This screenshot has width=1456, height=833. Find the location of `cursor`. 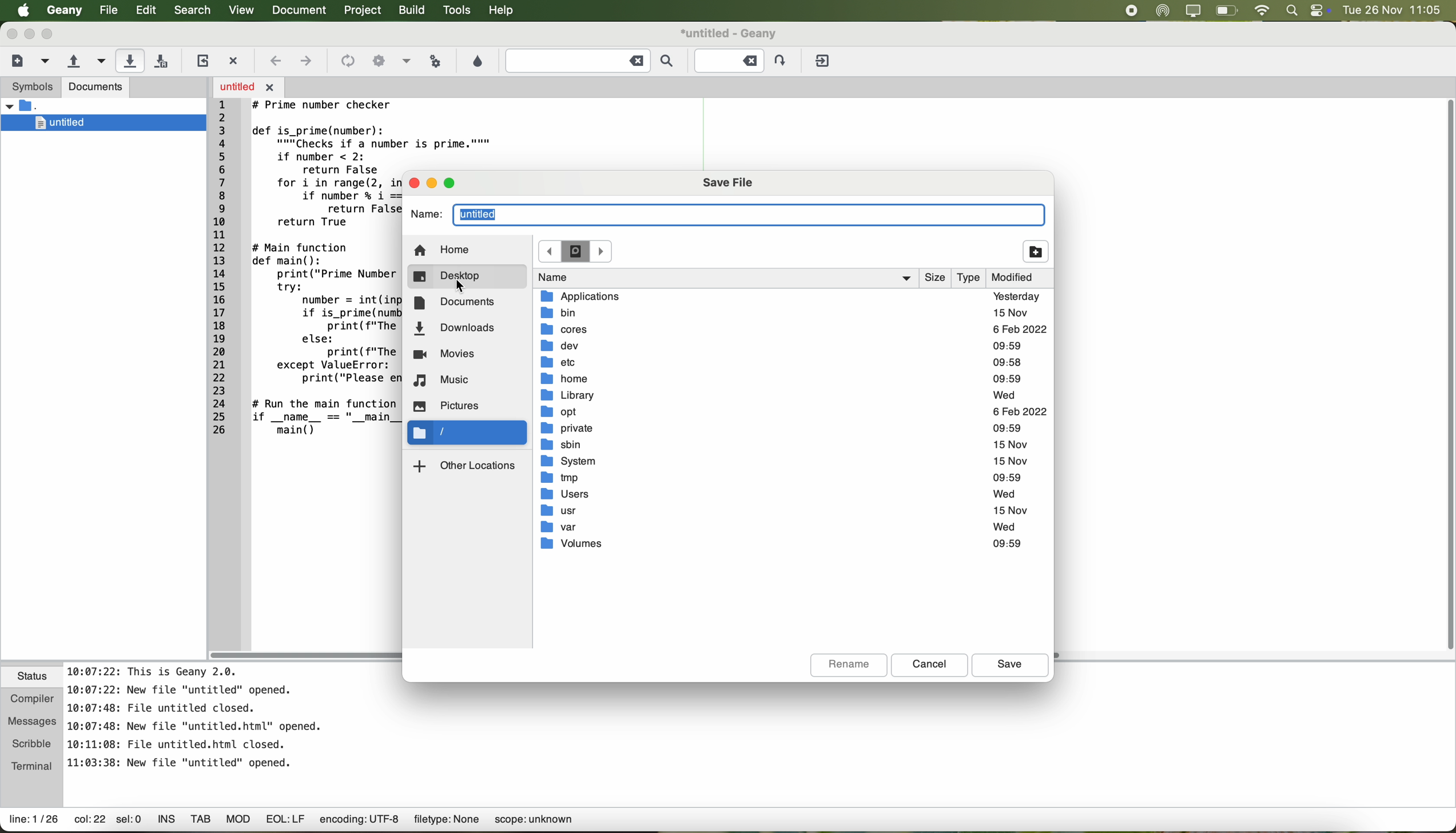

cursor is located at coordinates (462, 287).